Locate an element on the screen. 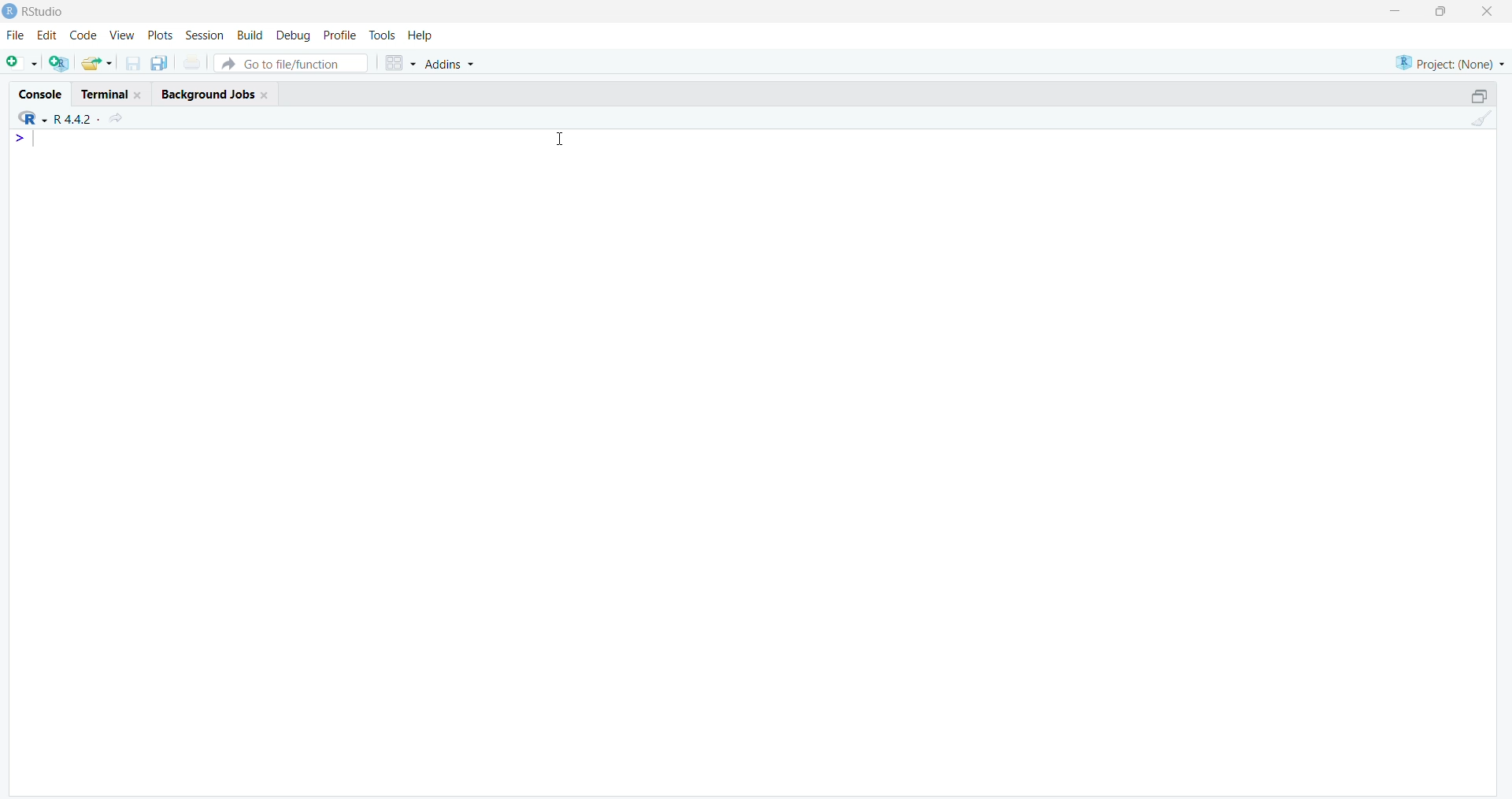  Save all open documents (Ctrl + Alt + S) is located at coordinates (164, 61).